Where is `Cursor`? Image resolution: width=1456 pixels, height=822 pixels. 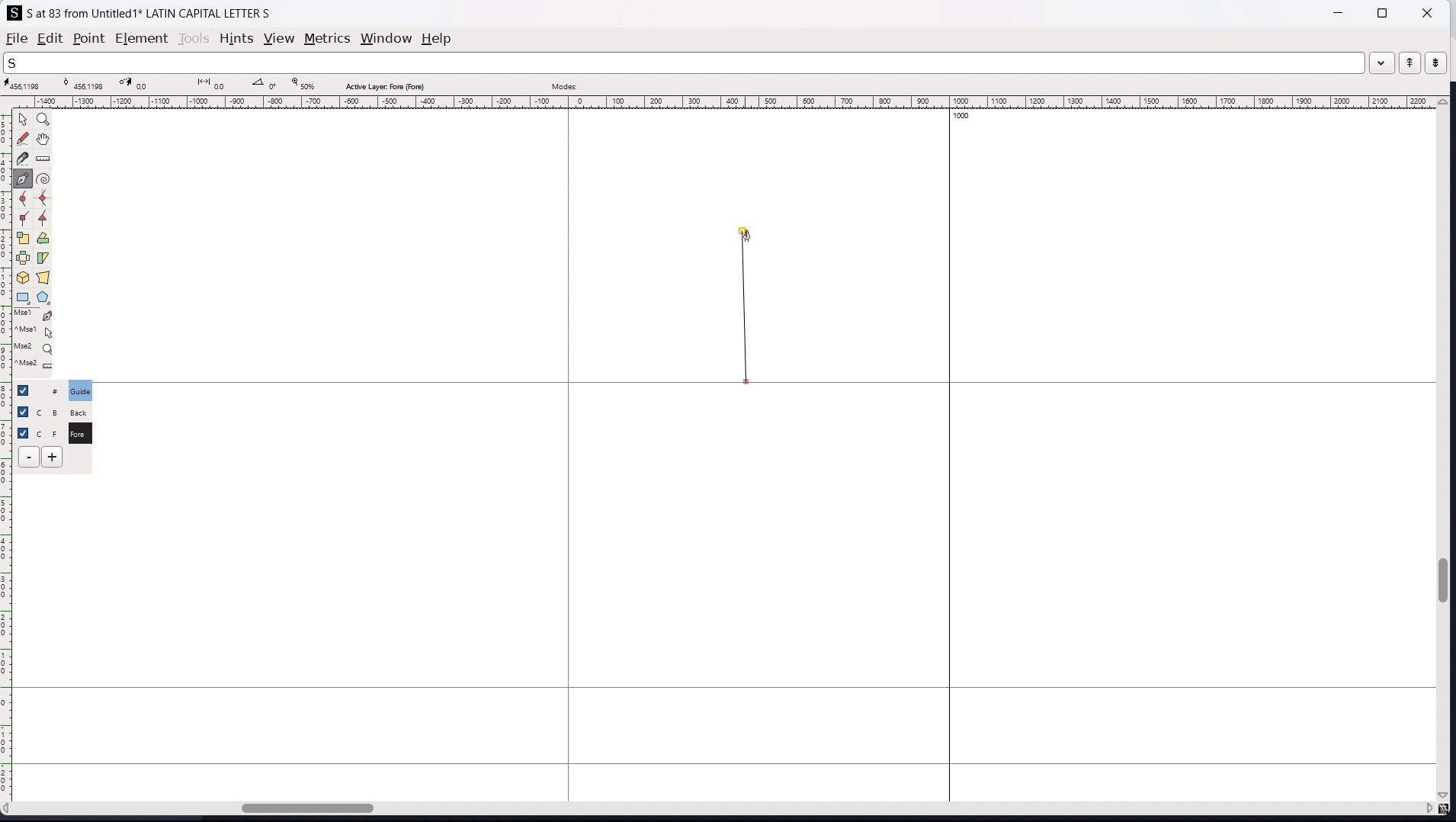 Cursor is located at coordinates (746, 236).